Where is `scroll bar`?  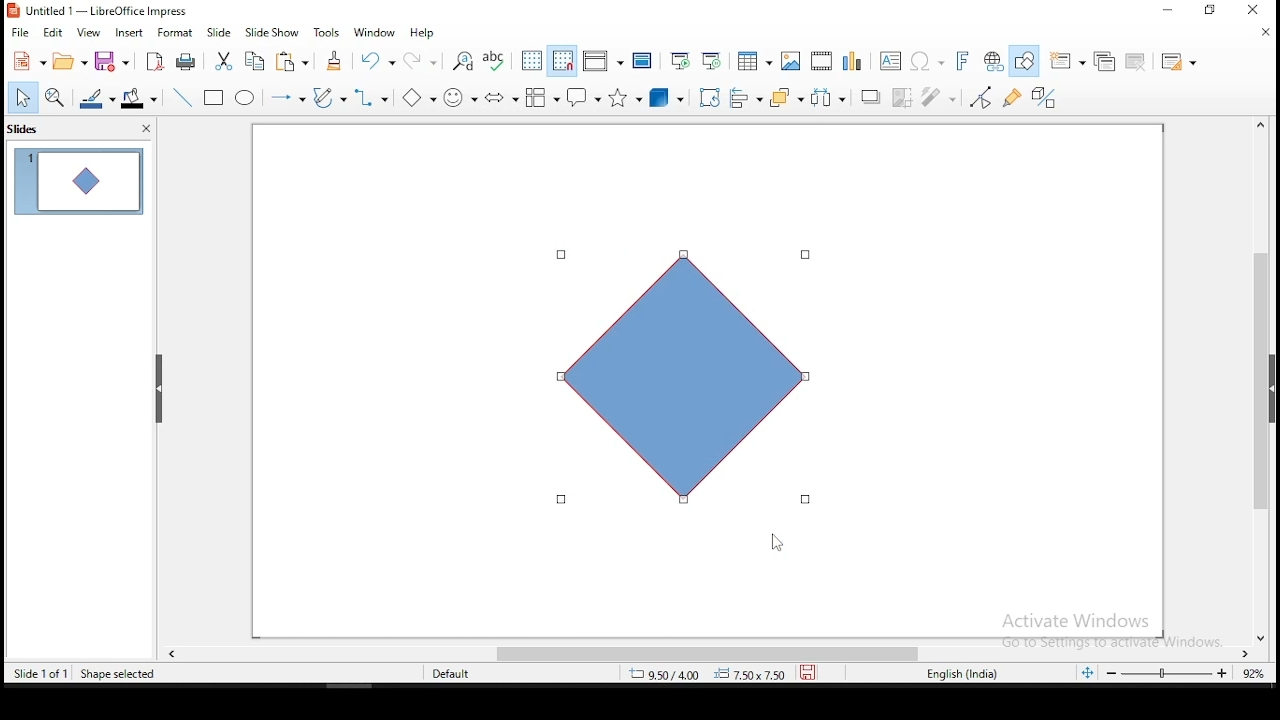 scroll bar is located at coordinates (1260, 388).